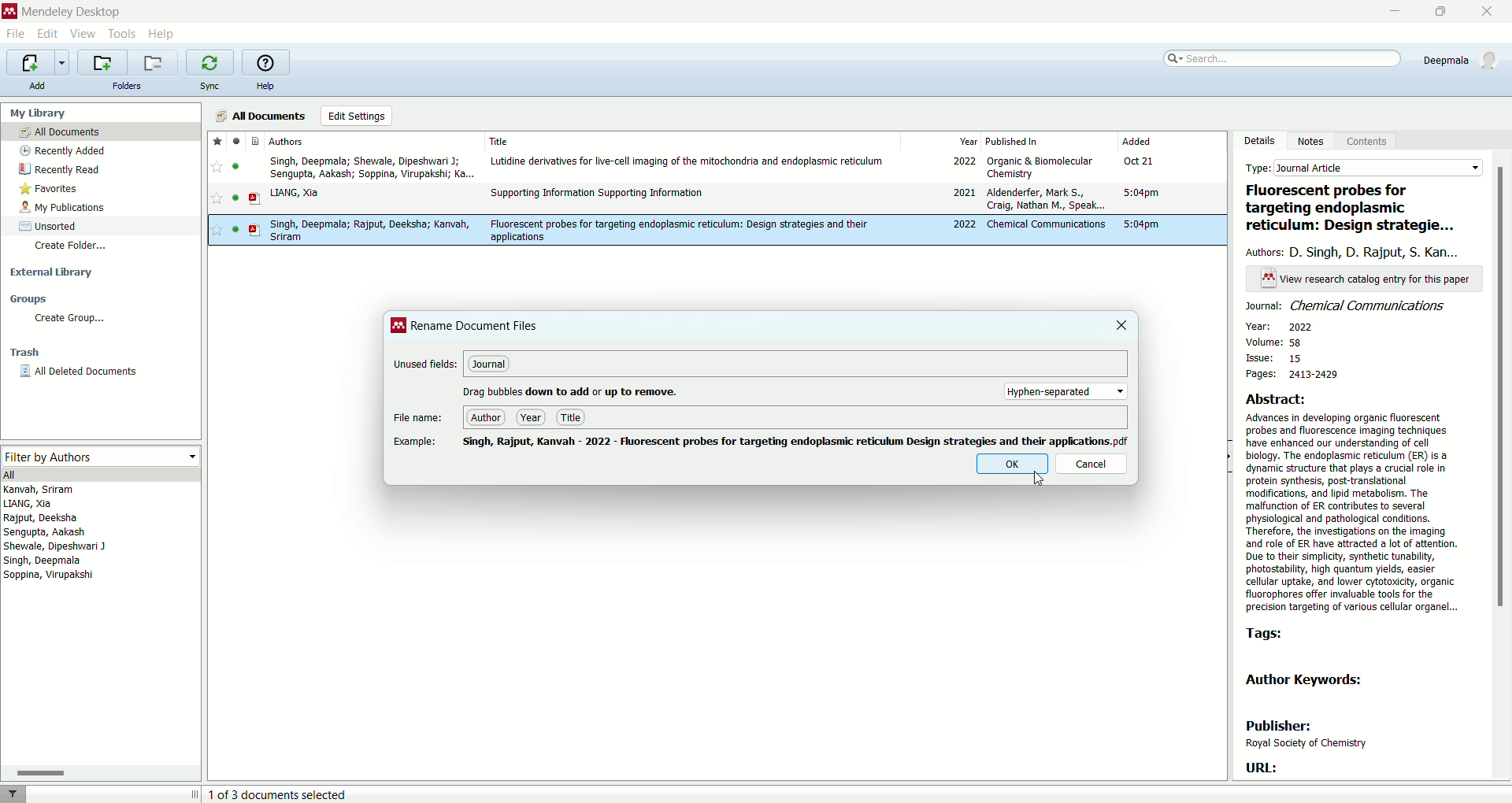 This screenshot has width=1512, height=803. Describe the element at coordinates (65, 150) in the screenshot. I see `recently added` at that location.